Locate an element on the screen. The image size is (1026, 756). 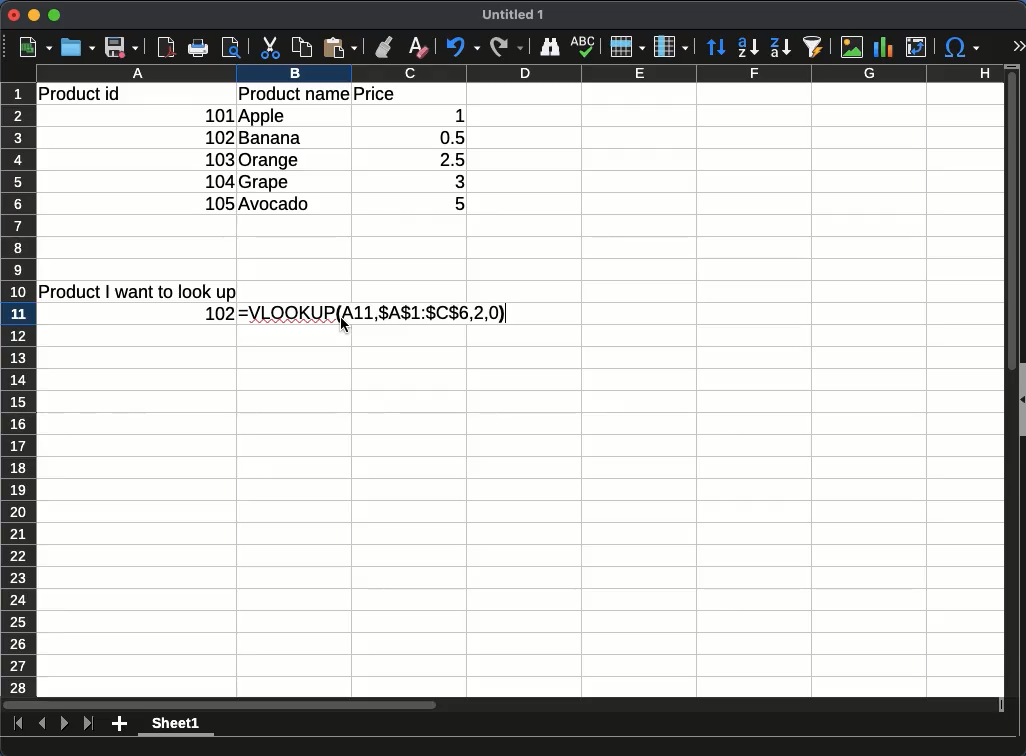
close is located at coordinates (14, 15).